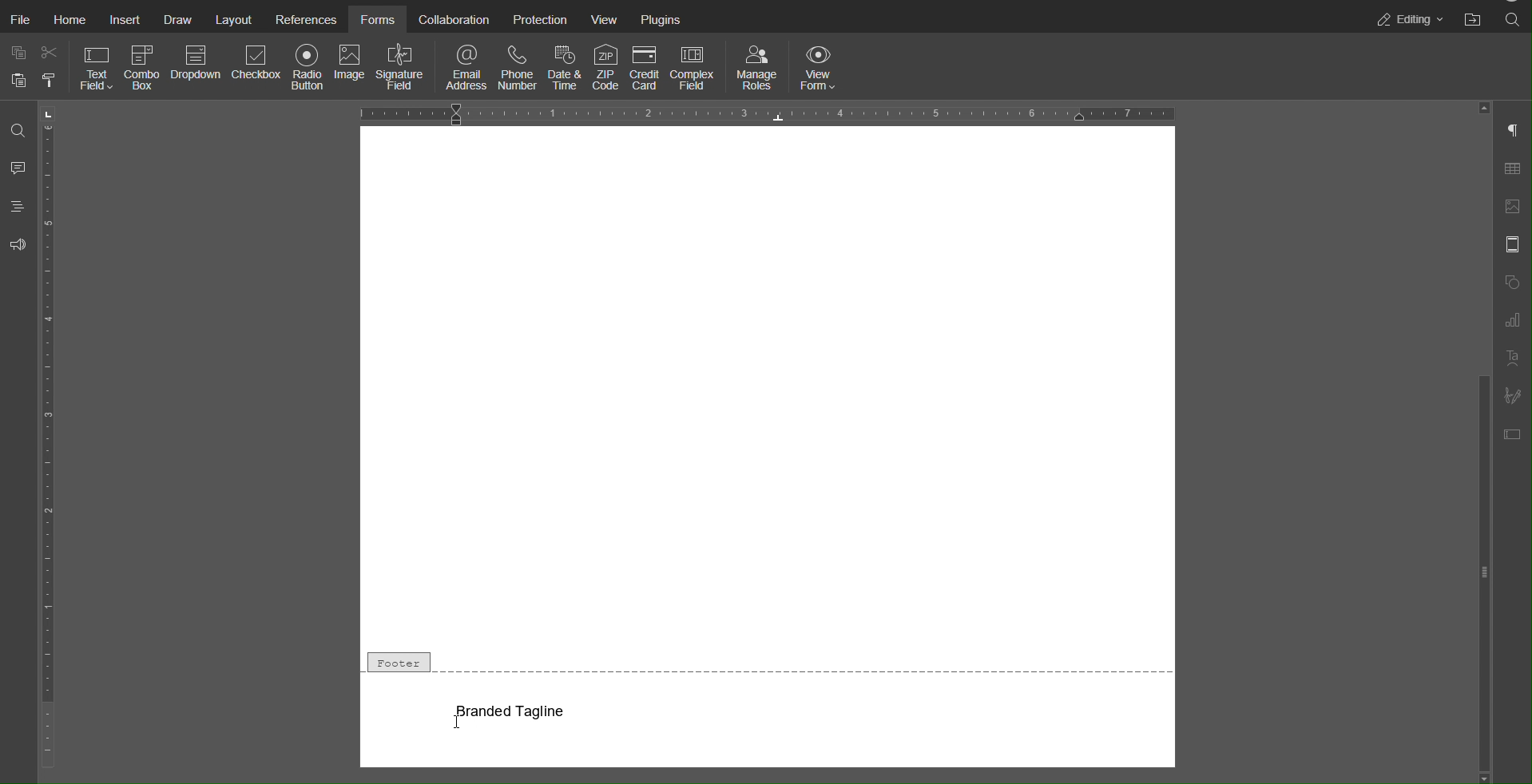 The width and height of the screenshot is (1532, 784). I want to click on Table Settings, so click(1514, 171).